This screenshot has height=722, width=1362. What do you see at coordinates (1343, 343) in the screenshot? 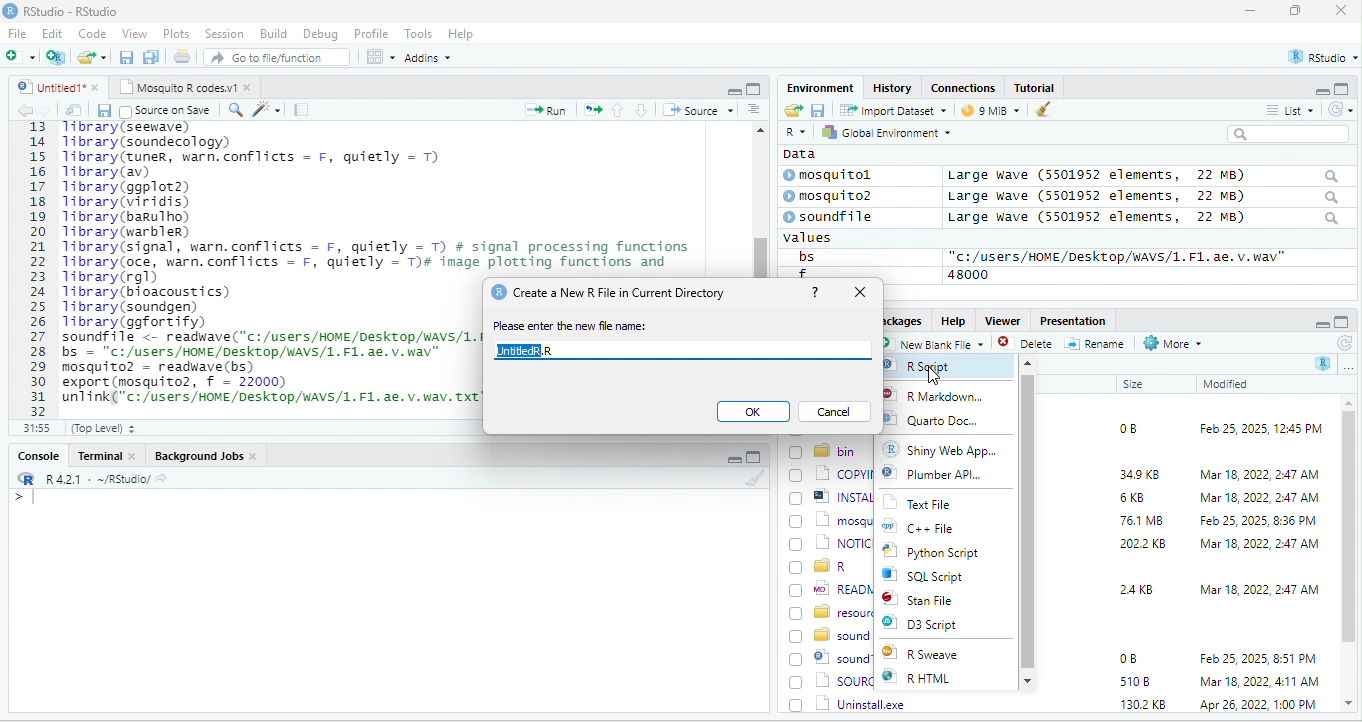
I see `refresh` at bounding box center [1343, 343].